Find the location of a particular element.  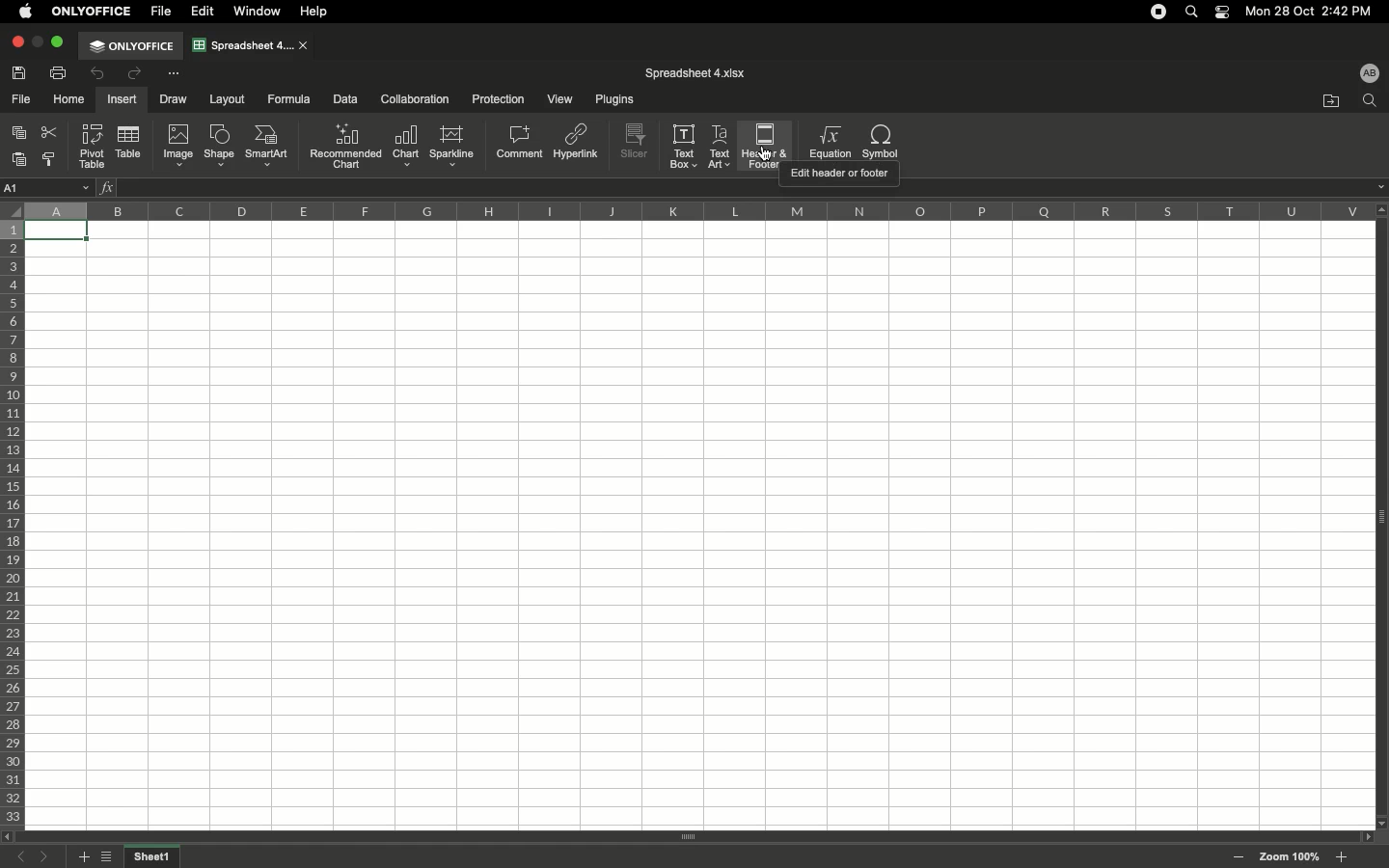

Sheet name is located at coordinates (154, 857).